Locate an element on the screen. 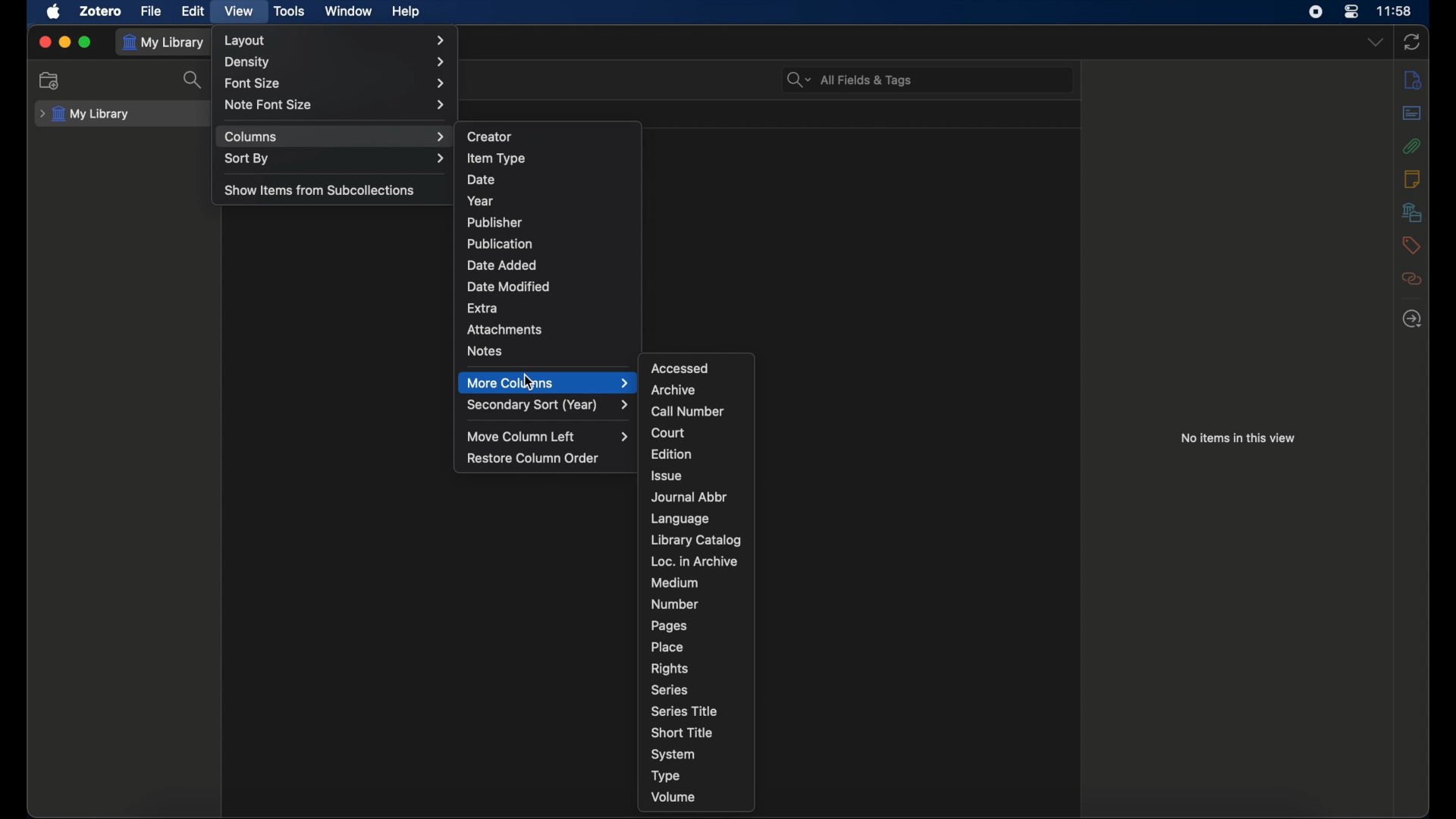  year is located at coordinates (479, 201).